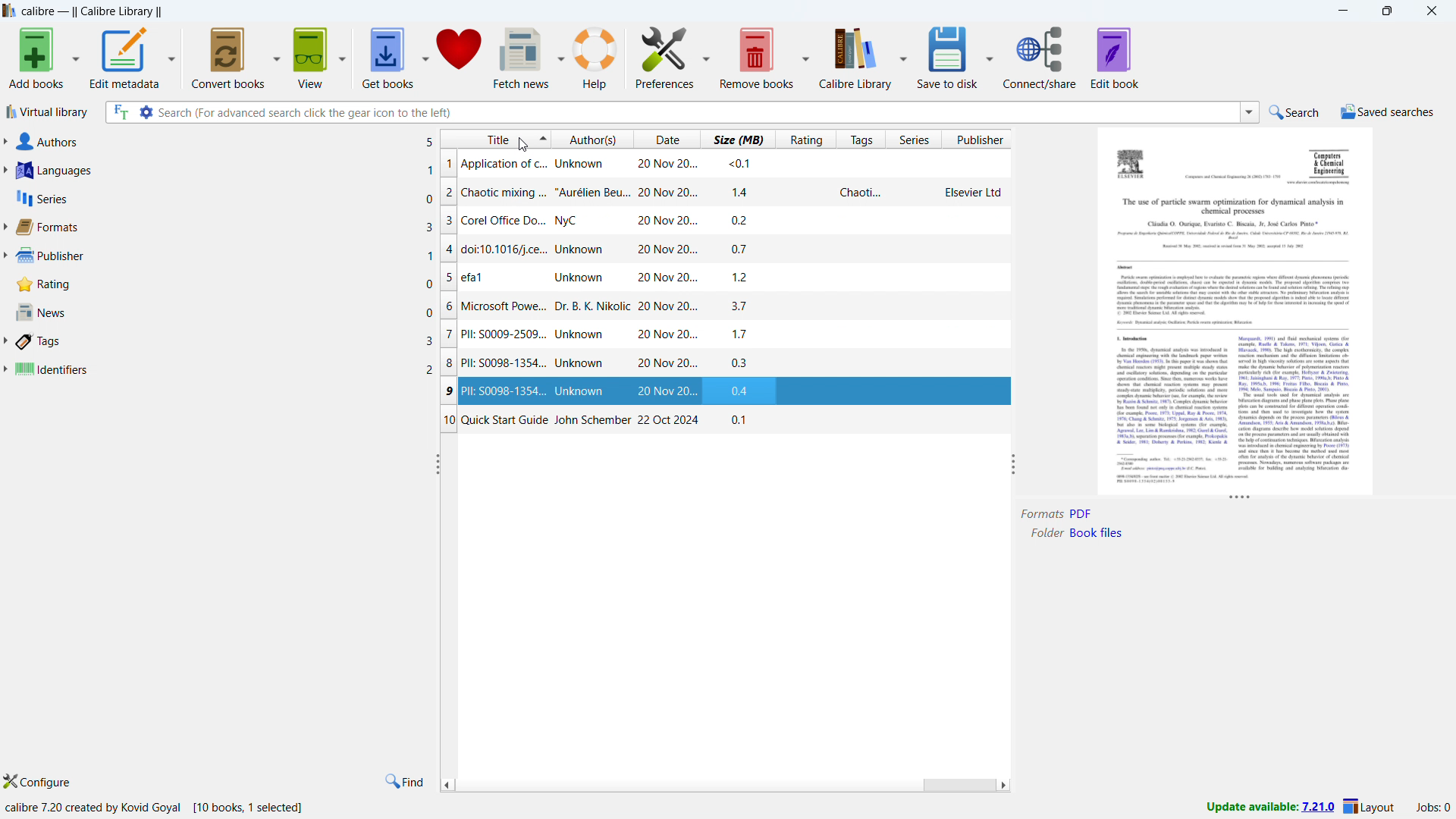  What do you see at coordinates (584, 307) in the screenshot?
I see `Microsoft Powe... Dr. B. K. Nikolic 20 Nov 20...` at bounding box center [584, 307].